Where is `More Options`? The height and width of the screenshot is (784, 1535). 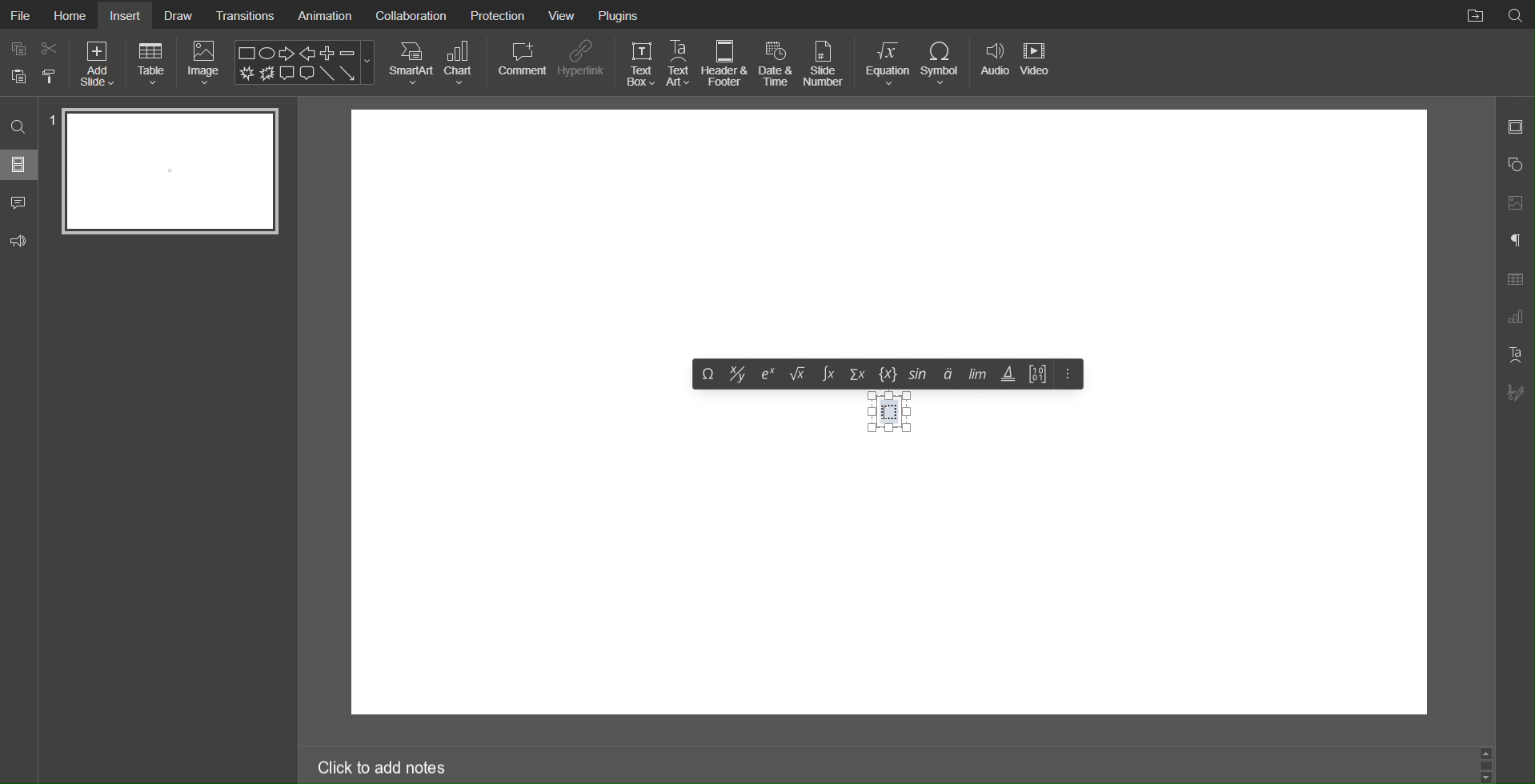 More Options is located at coordinates (1066, 375).